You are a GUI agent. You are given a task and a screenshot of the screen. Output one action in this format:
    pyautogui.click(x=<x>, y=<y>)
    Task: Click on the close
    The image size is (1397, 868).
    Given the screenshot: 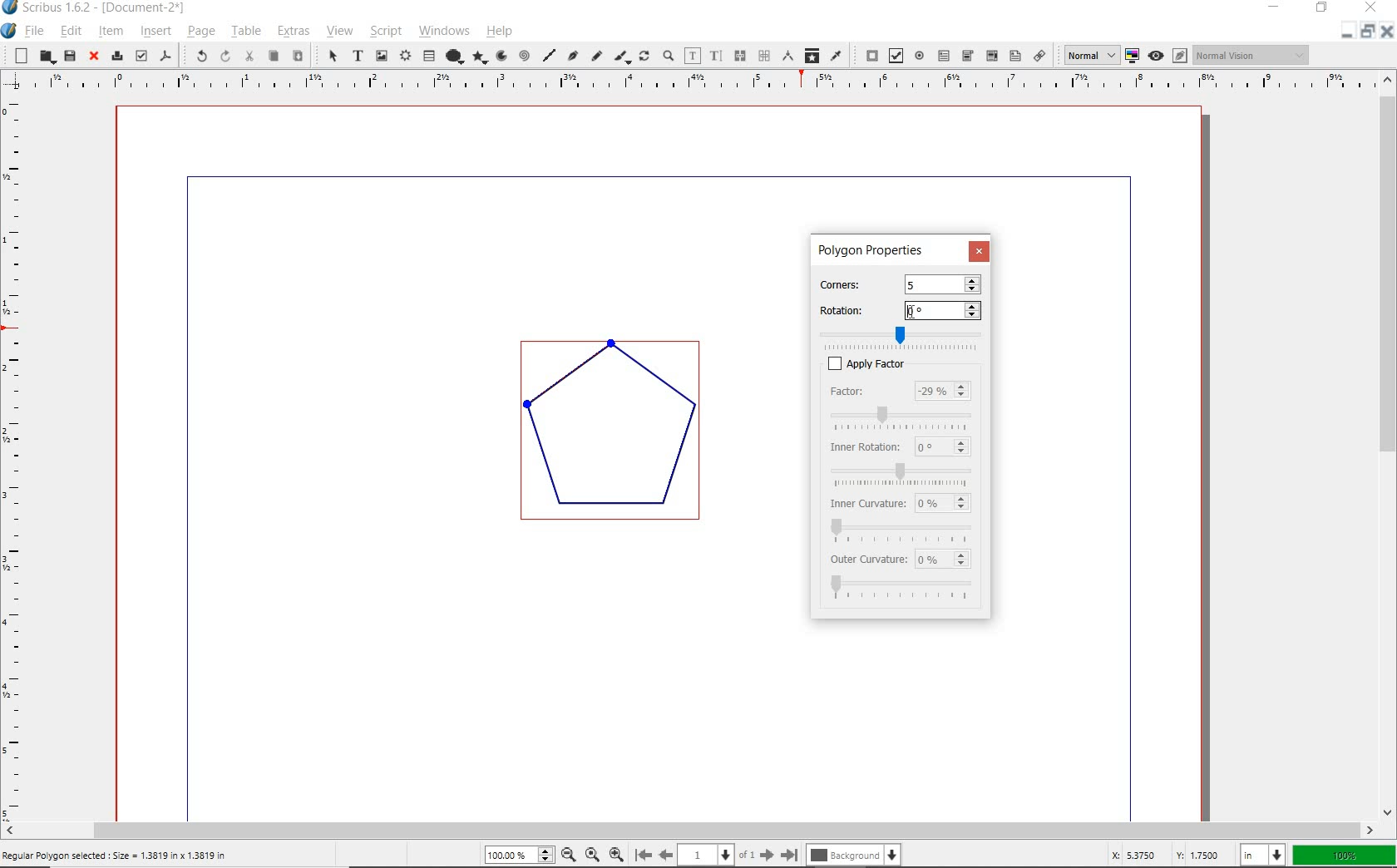 What is the action you would take?
    pyautogui.click(x=93, y=57)
    